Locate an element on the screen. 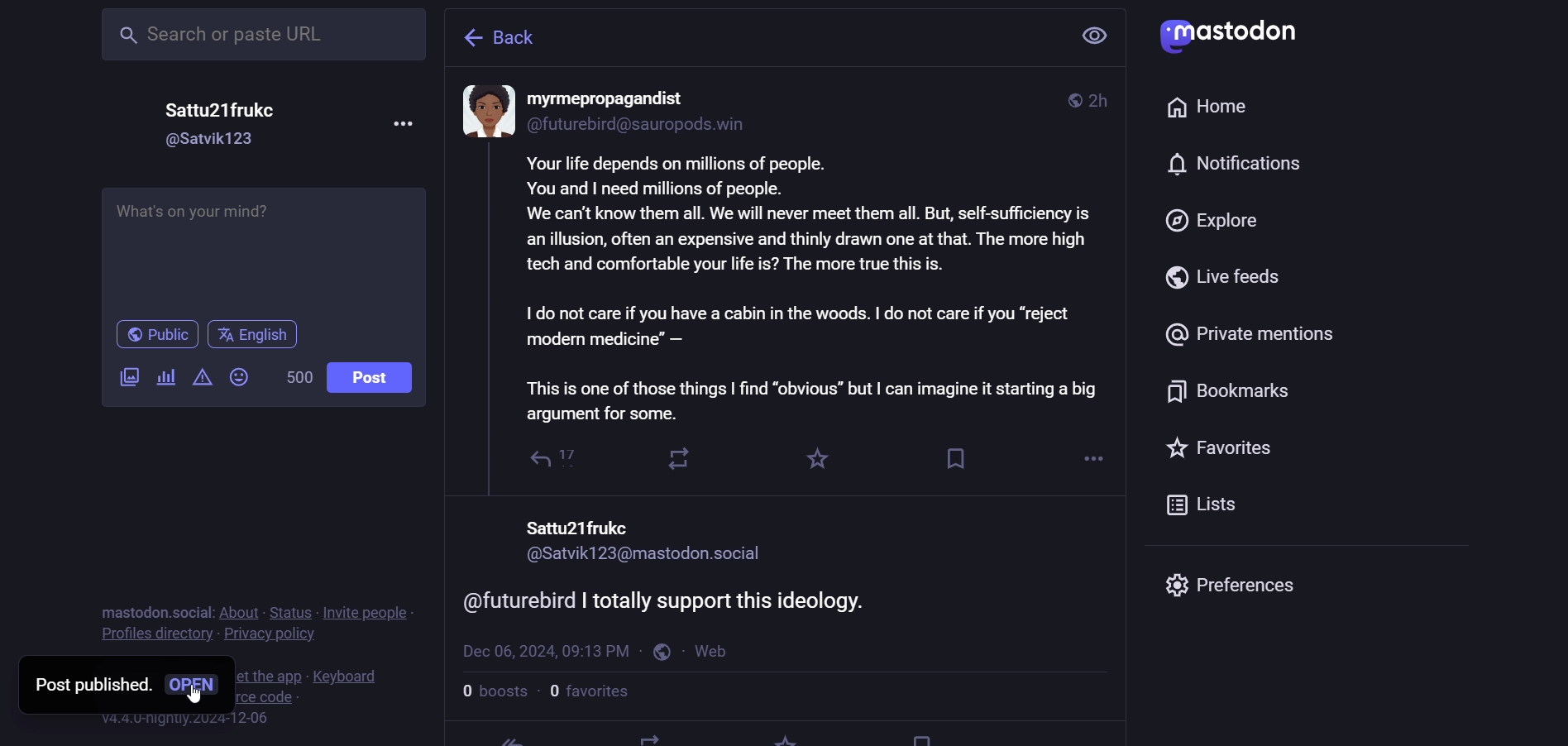 The image size is (1568, 746). version is located at coordinates (190, 719).